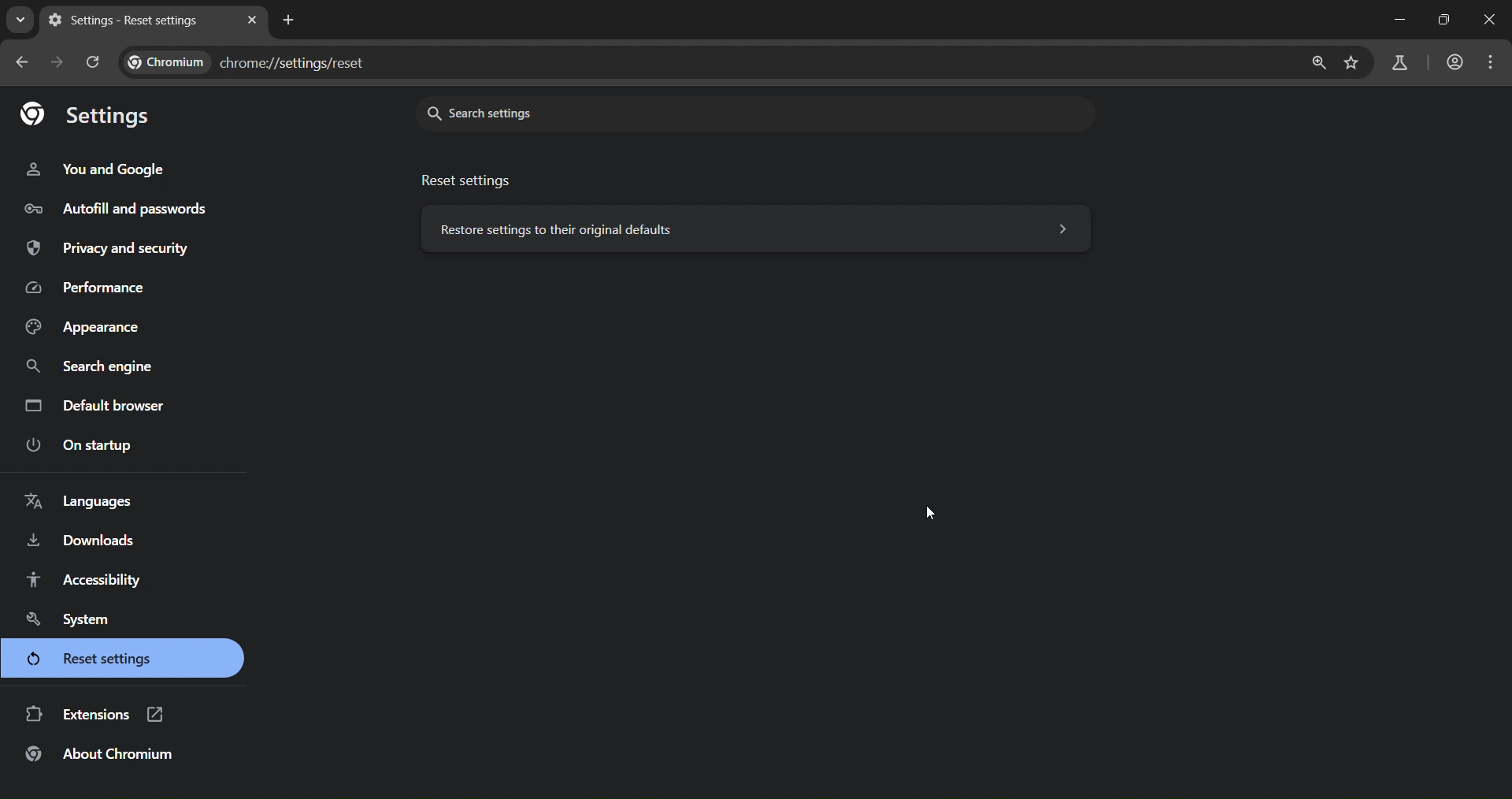 Image resolution: width=1512 pixels, height=799 pixels. I want to click on bookmark page, so click(1353, 65).